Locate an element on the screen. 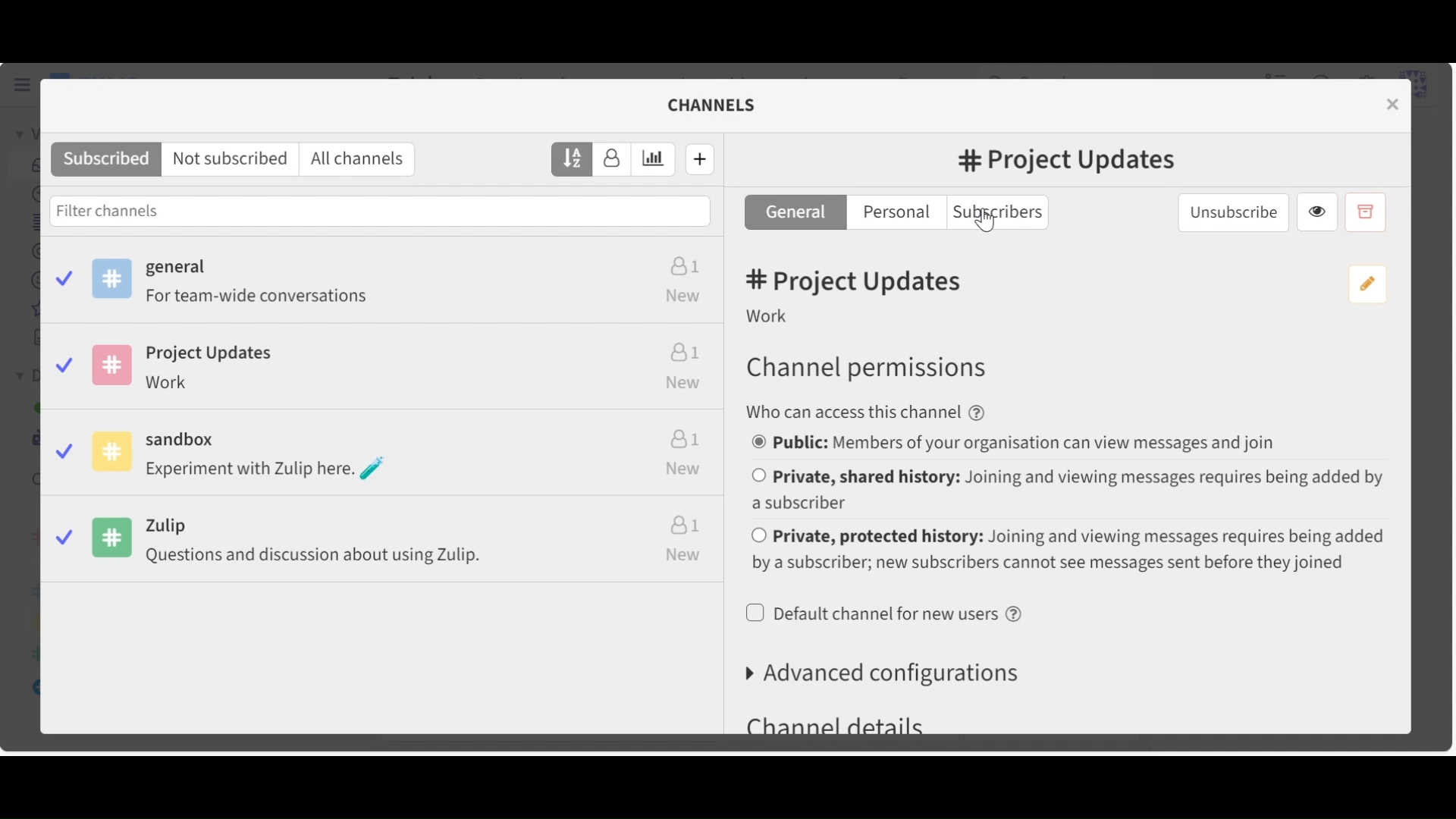 Image resolution: width=1456 pixels, height=819 pixels. Archive channel is located at coordinates (1366, 212).